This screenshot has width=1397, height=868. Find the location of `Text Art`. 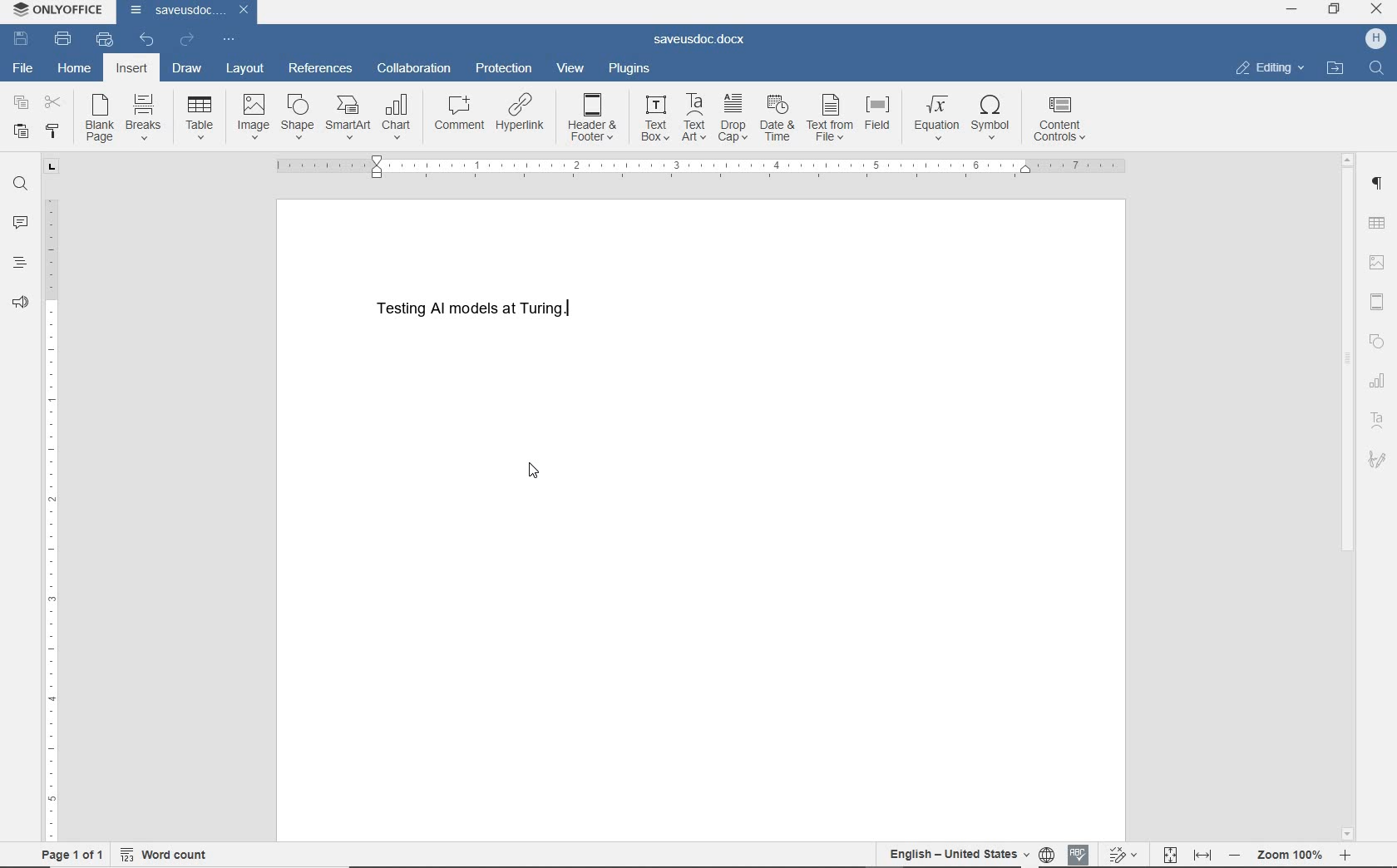

Text Art is located at coordinates (692, 116).